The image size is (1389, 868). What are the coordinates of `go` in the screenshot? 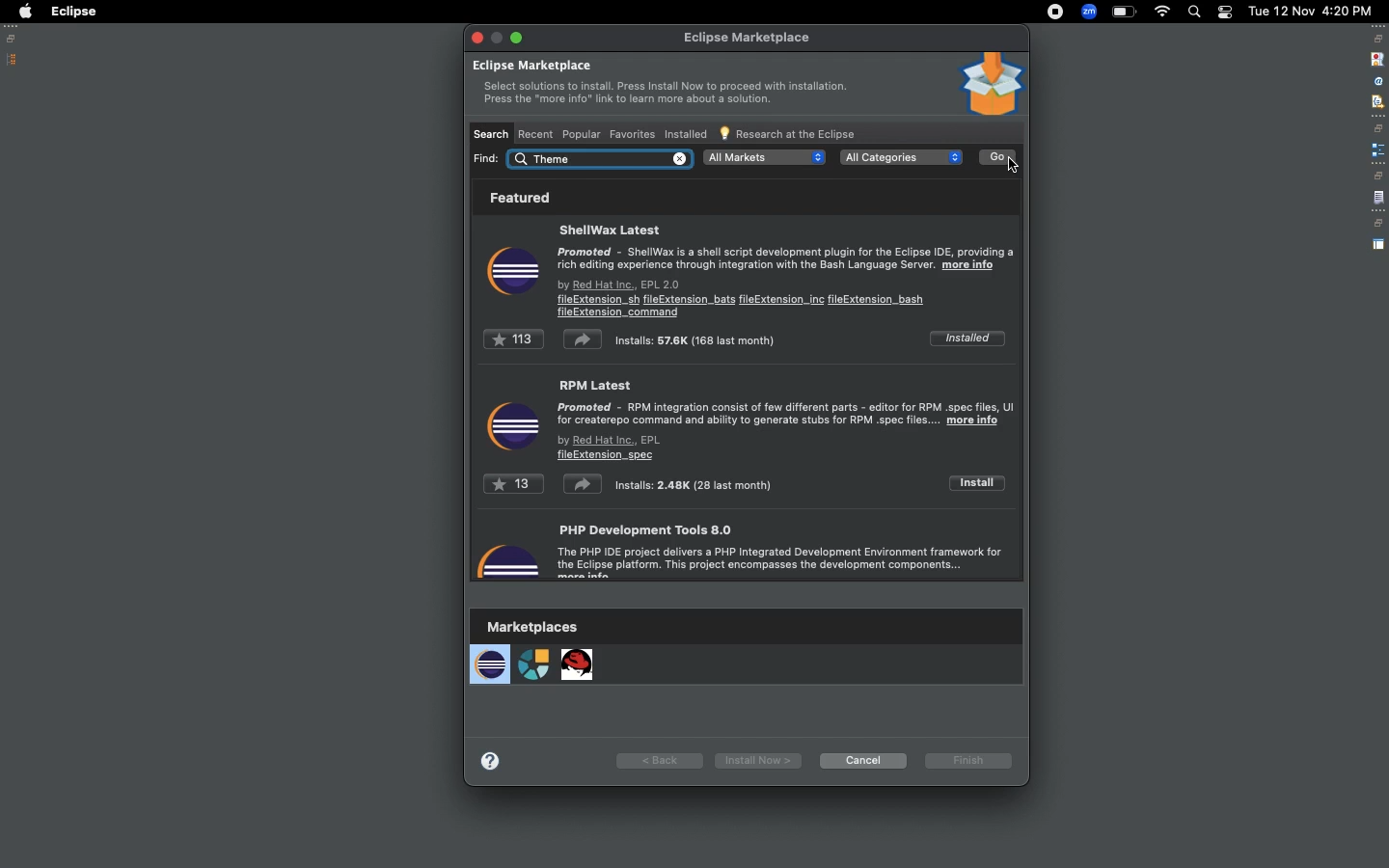 It's located at (997, 157).